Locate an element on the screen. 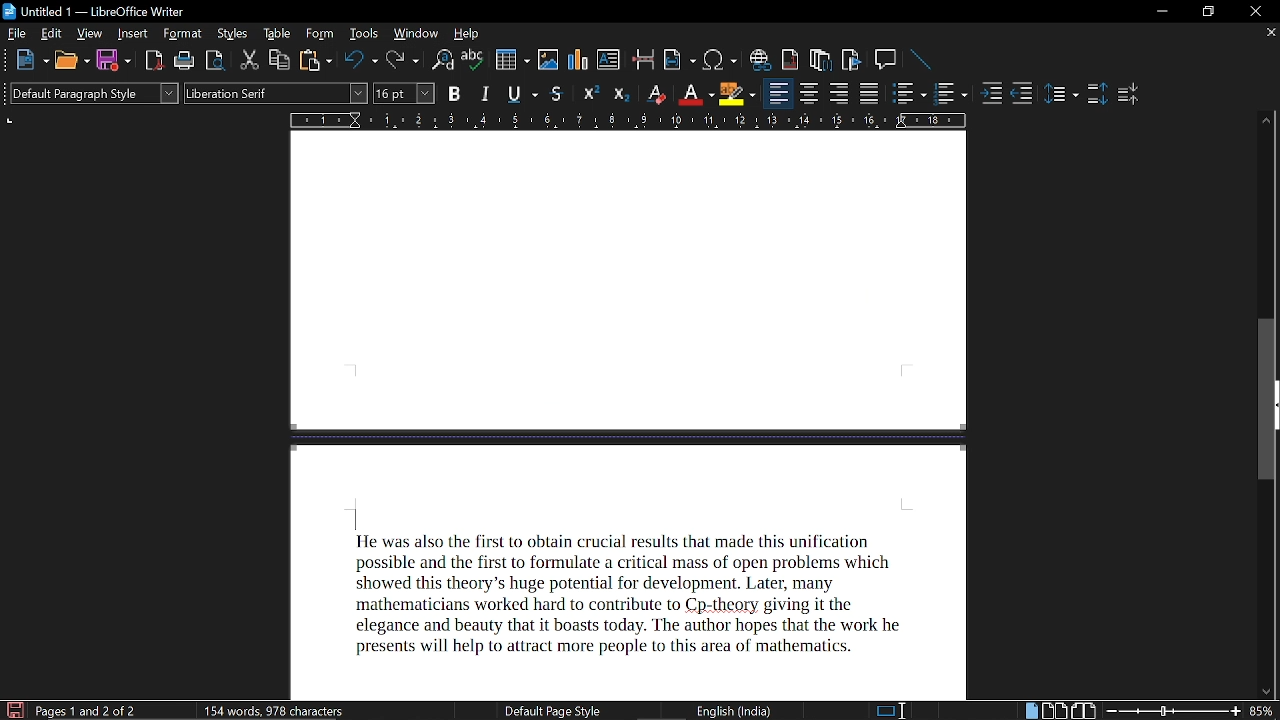  View is located at coordinates (90, 35).